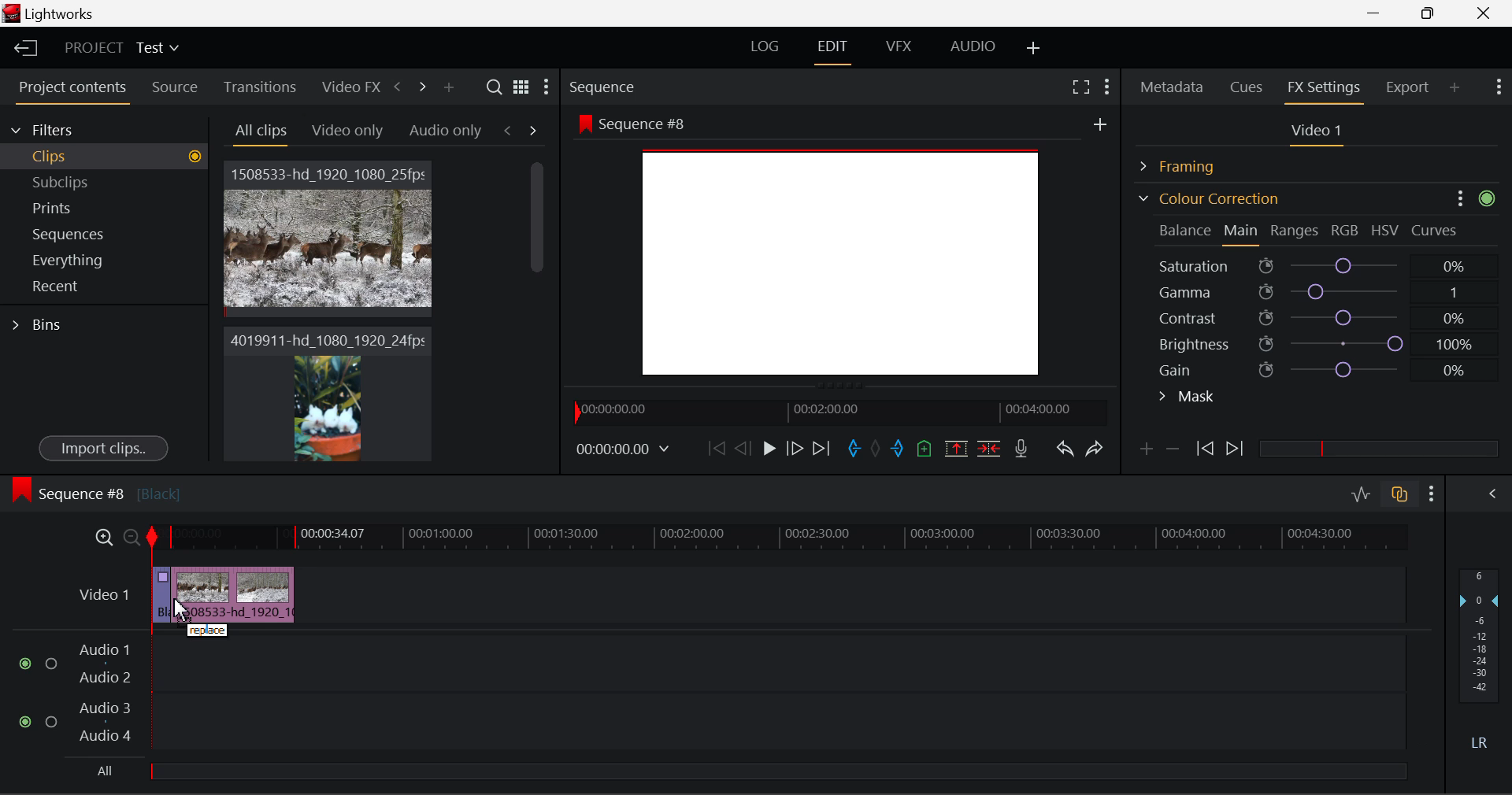  I want to click on Add Layout, so click(1034, 49).